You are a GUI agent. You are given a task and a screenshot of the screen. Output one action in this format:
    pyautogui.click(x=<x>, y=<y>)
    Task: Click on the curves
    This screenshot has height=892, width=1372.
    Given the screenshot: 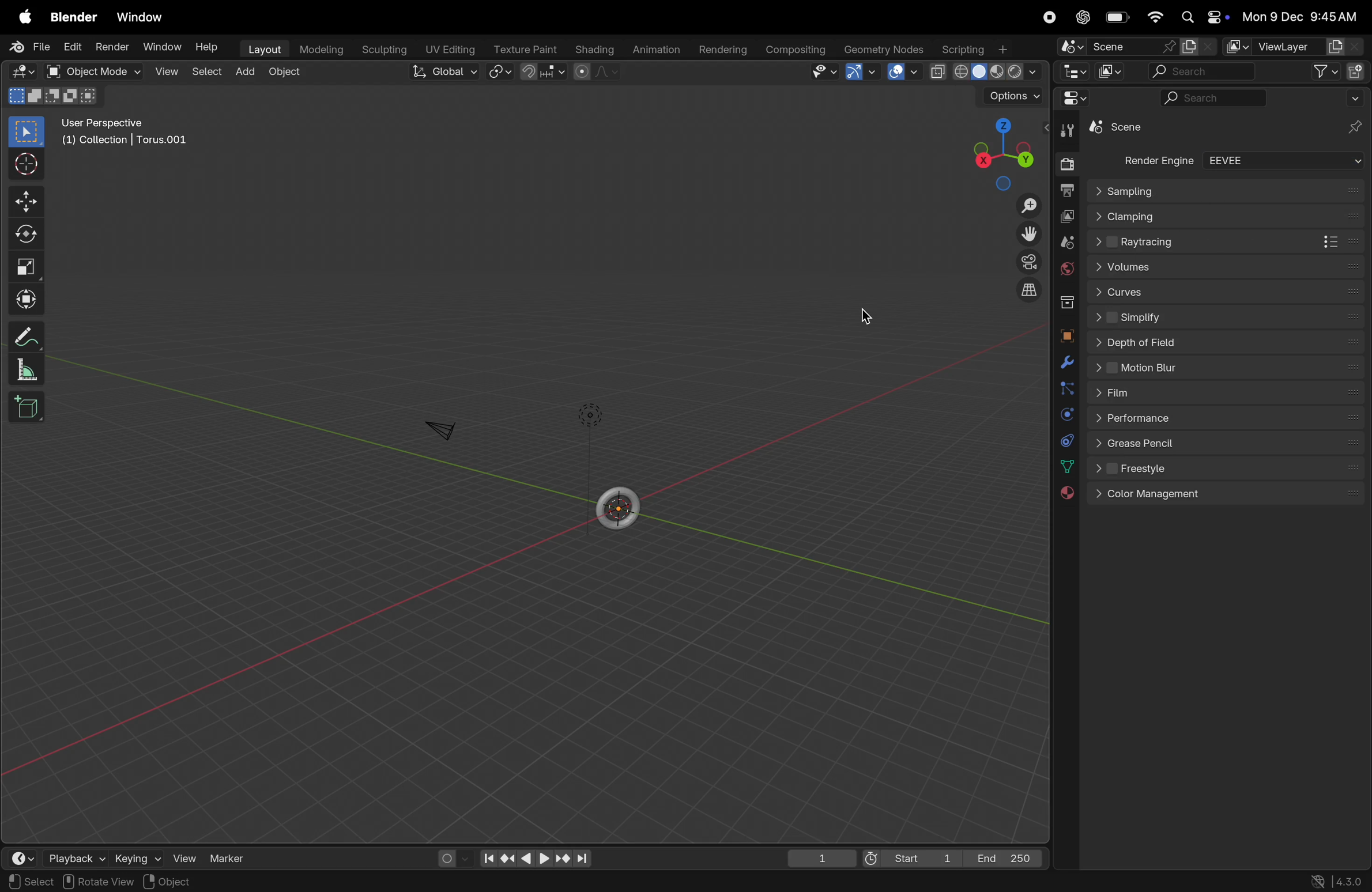 What is the action you would take?
    pyautogui.click(x=1227, y=290)
    